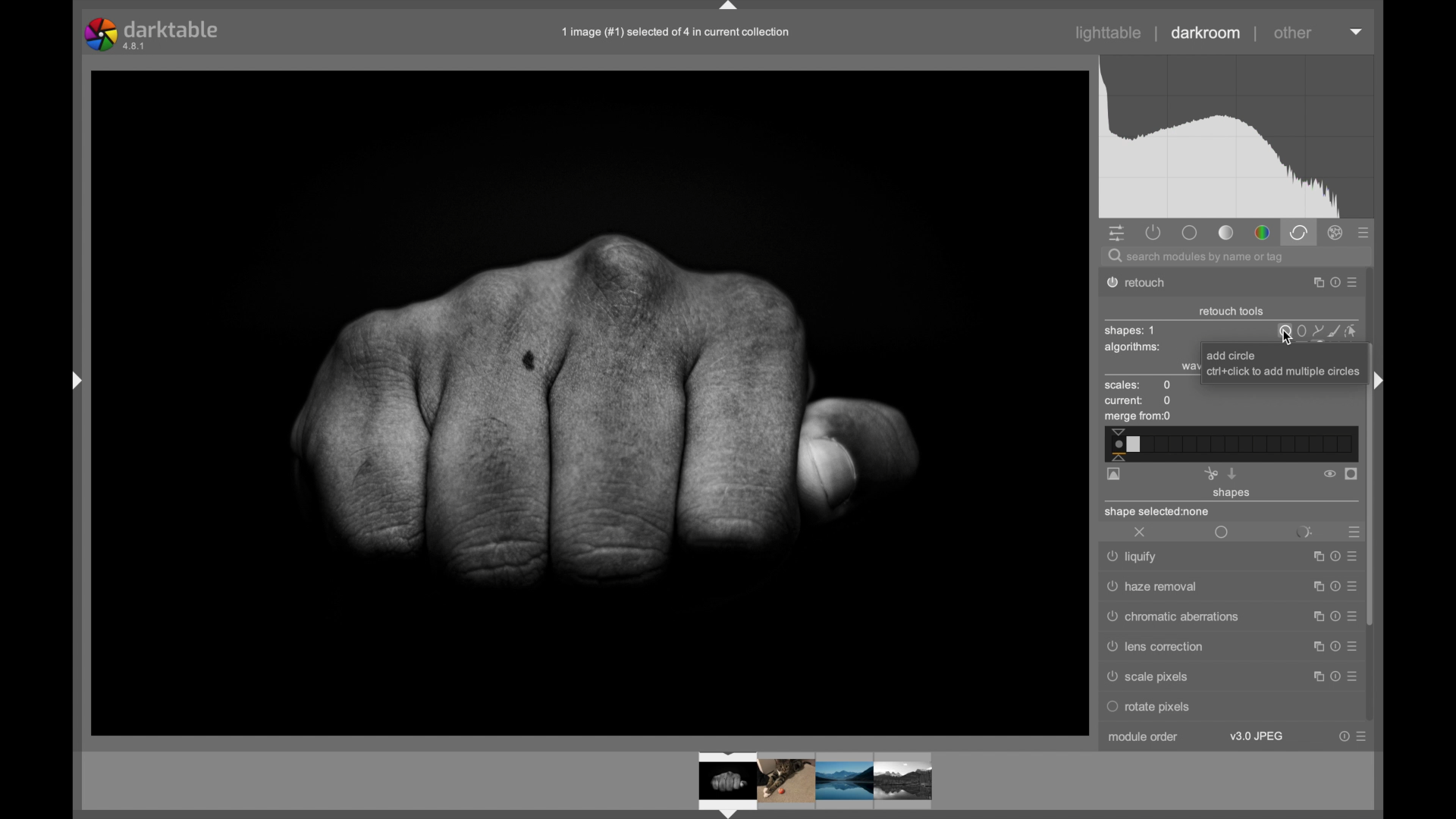 The image size is (1456, 819). What do you see at coordinates (1139, 401) in the screenshot?
I see `current 0` at bounding box center [1139, 401].